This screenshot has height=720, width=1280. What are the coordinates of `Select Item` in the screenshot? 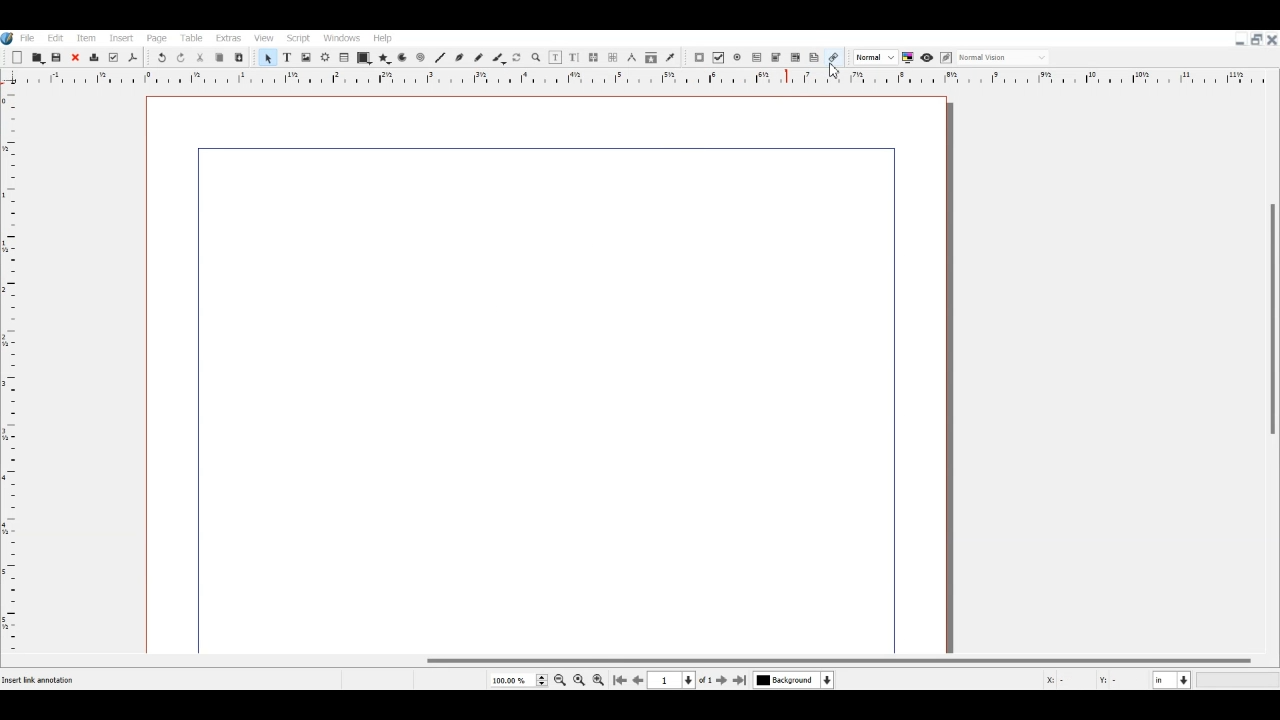 It's located at (267, 57).